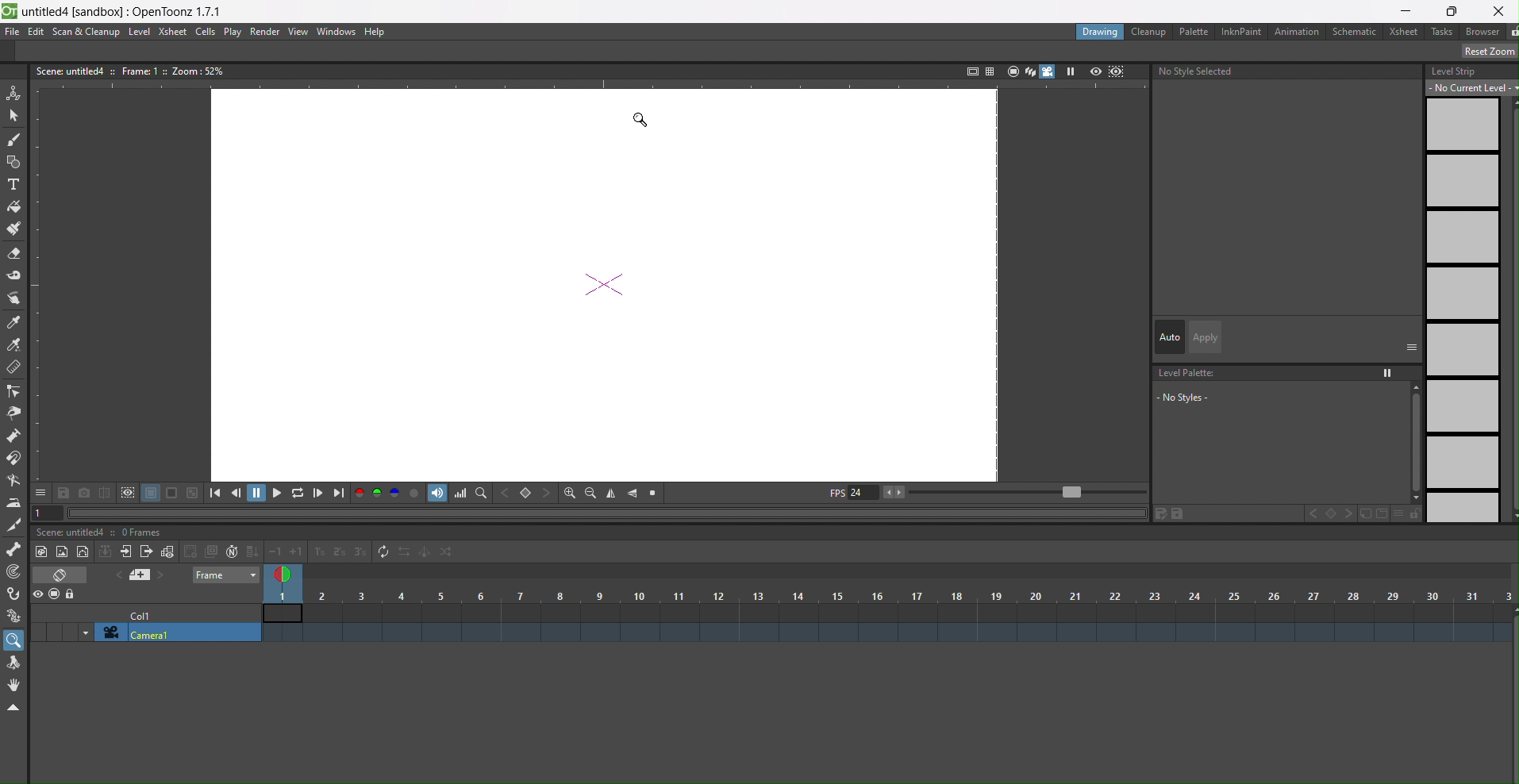 This screenshot has width=1519, height=784. I want to click on pinch tool, so click(17, 412).